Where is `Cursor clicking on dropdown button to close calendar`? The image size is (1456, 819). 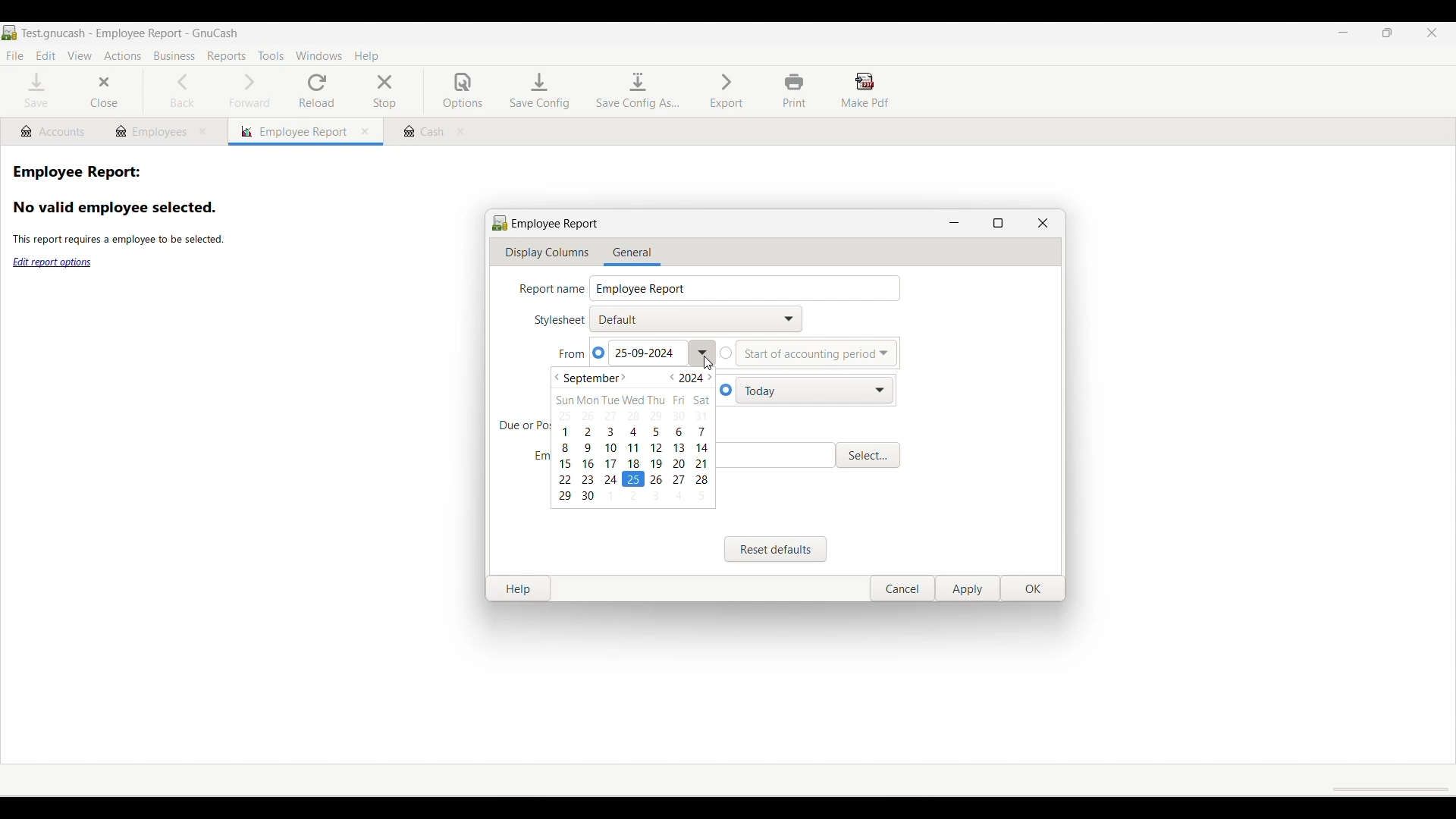 Cursor clicking on dropdown button to close calendar is located at coordinates (708, 363).